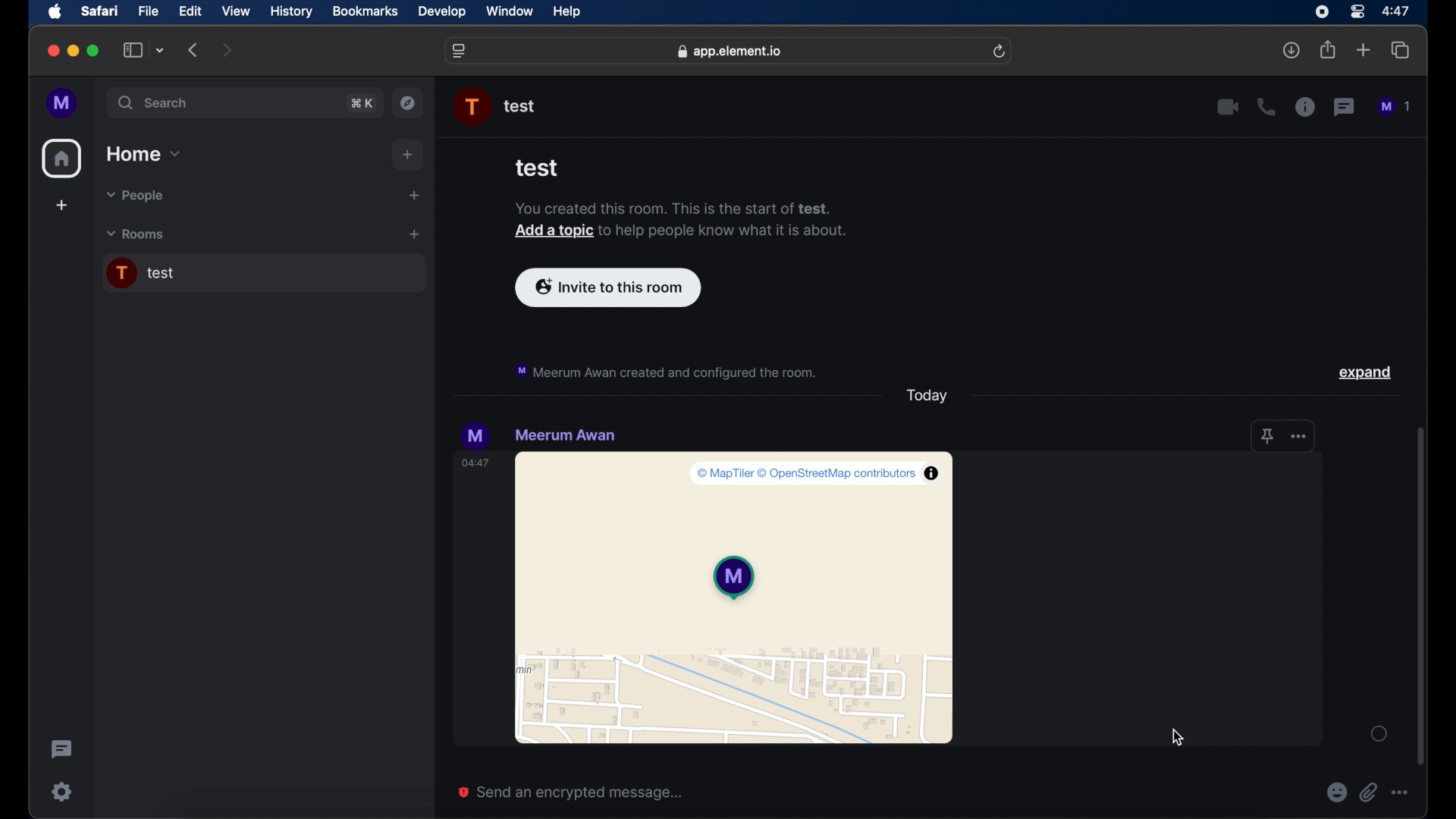  What do you see at coordinates (1367, 371) in the screenshot?
I see `expand` at bounding box center [1367, 371].